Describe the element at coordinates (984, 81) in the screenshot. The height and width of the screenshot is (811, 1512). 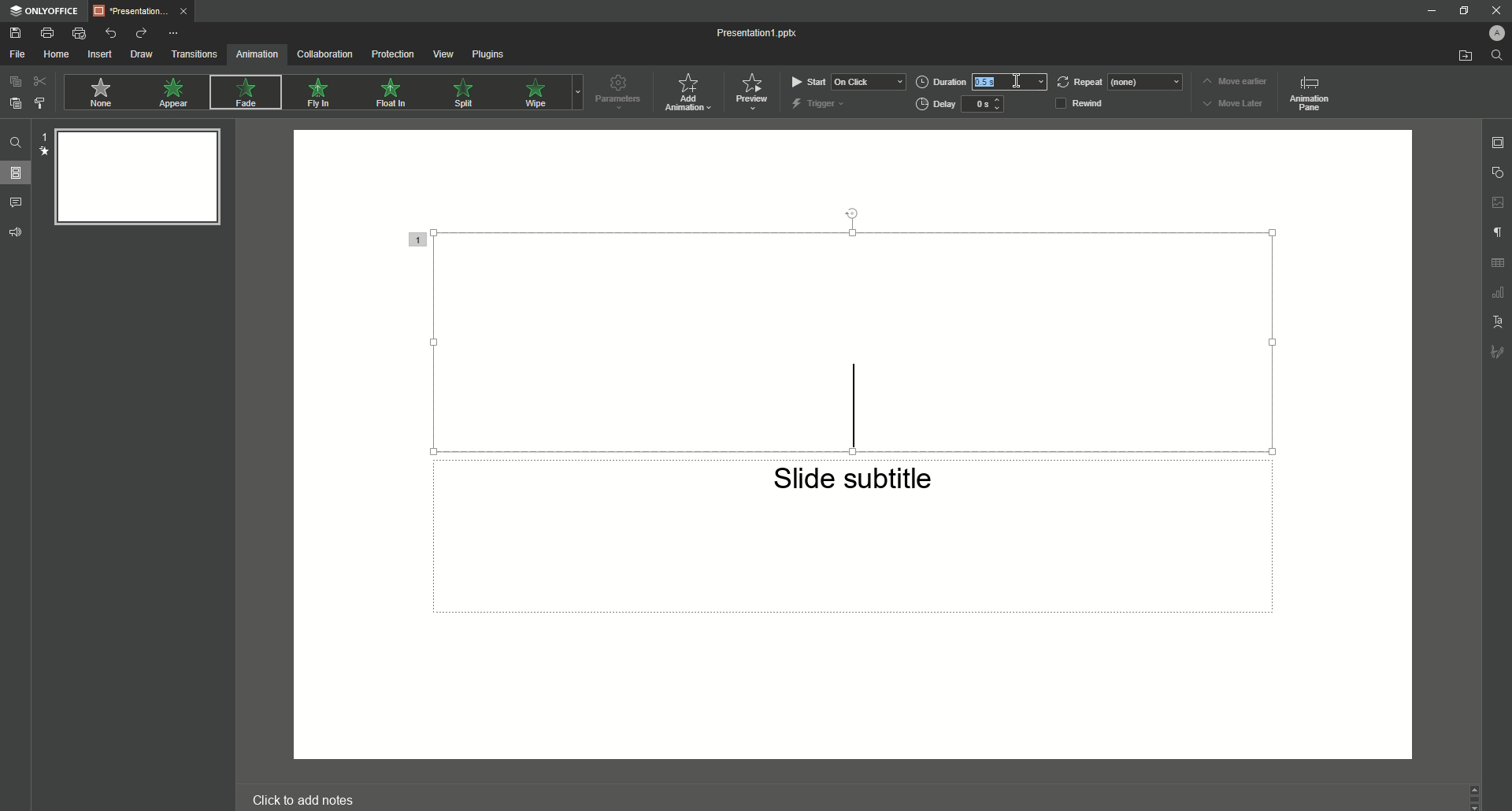
I see `Duration` at that location.